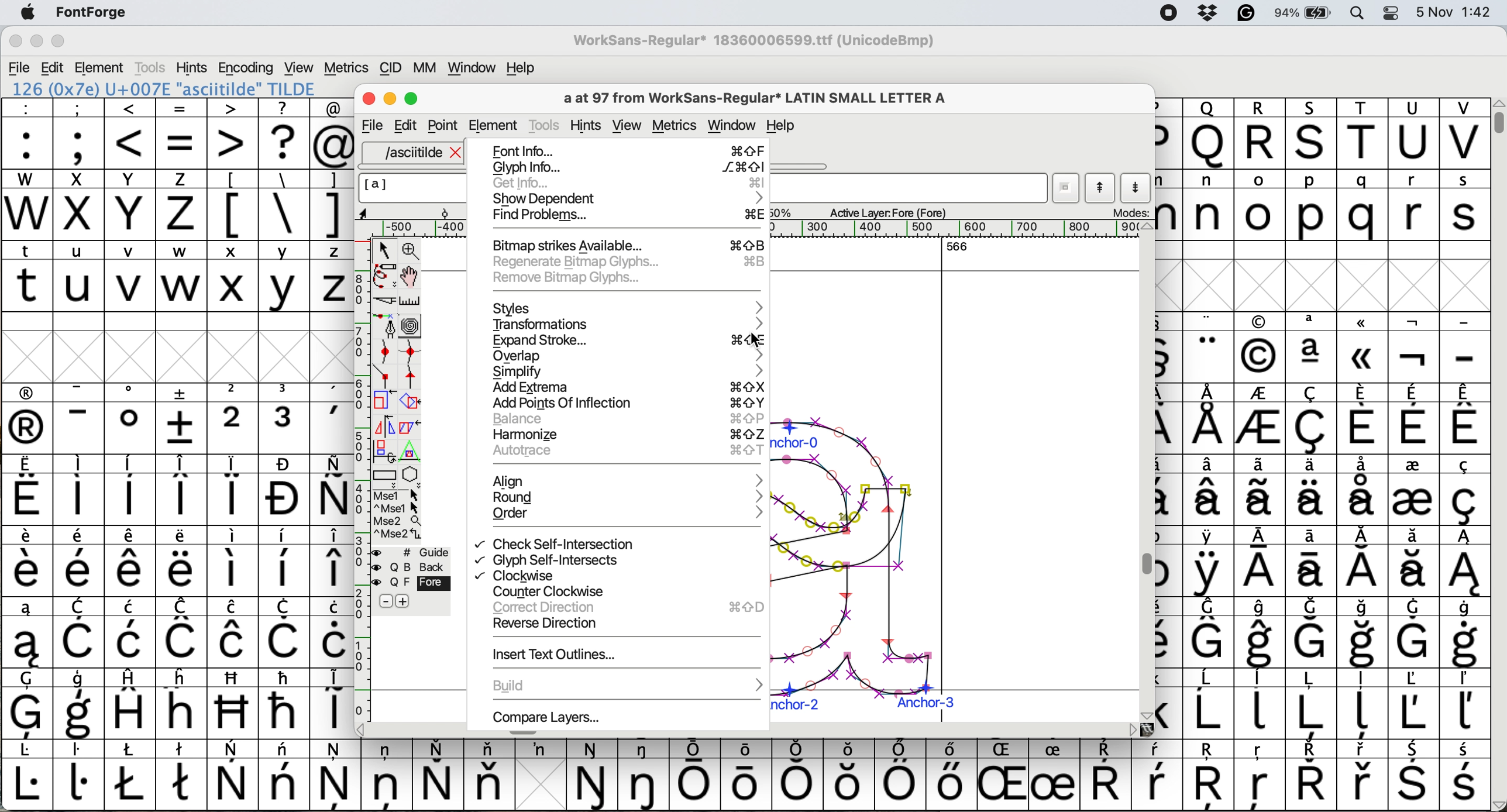 The image size is (1507, 812). Describe the element at coordinates (334, 632) in the screenshot. I see `symbol` at that location.